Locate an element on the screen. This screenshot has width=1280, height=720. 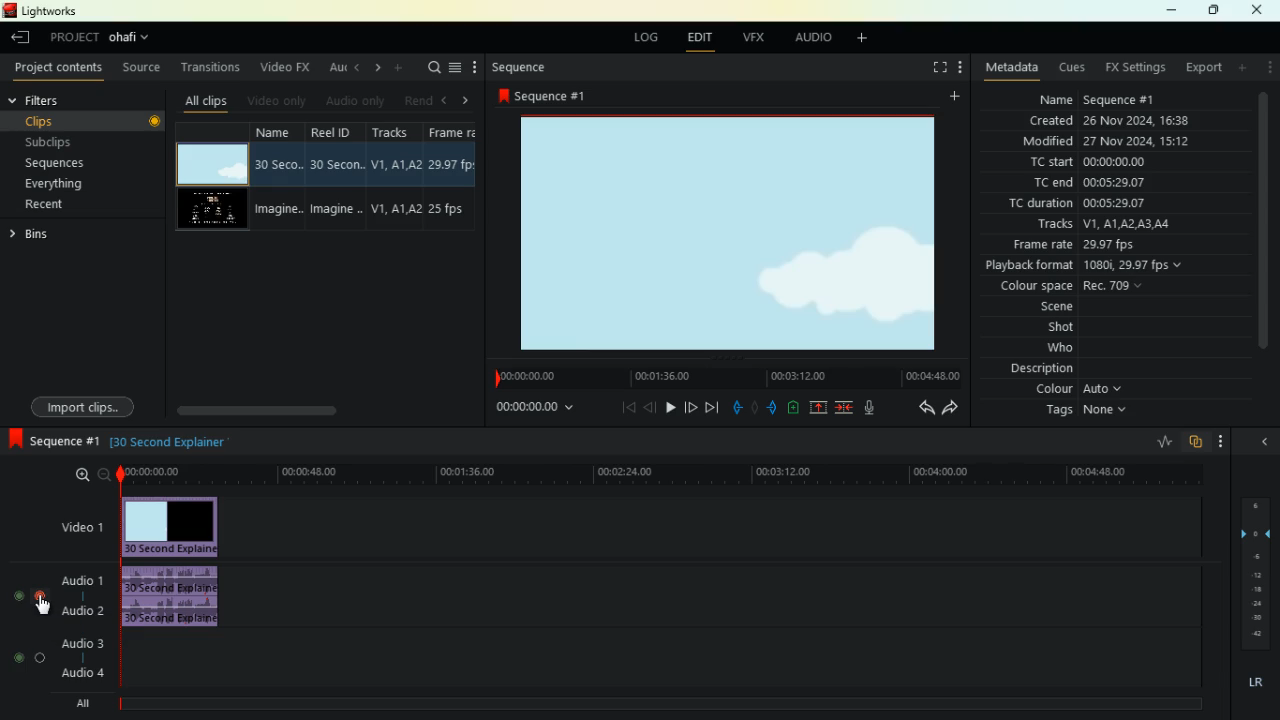
overlap is located at coordinates (1198, 440).